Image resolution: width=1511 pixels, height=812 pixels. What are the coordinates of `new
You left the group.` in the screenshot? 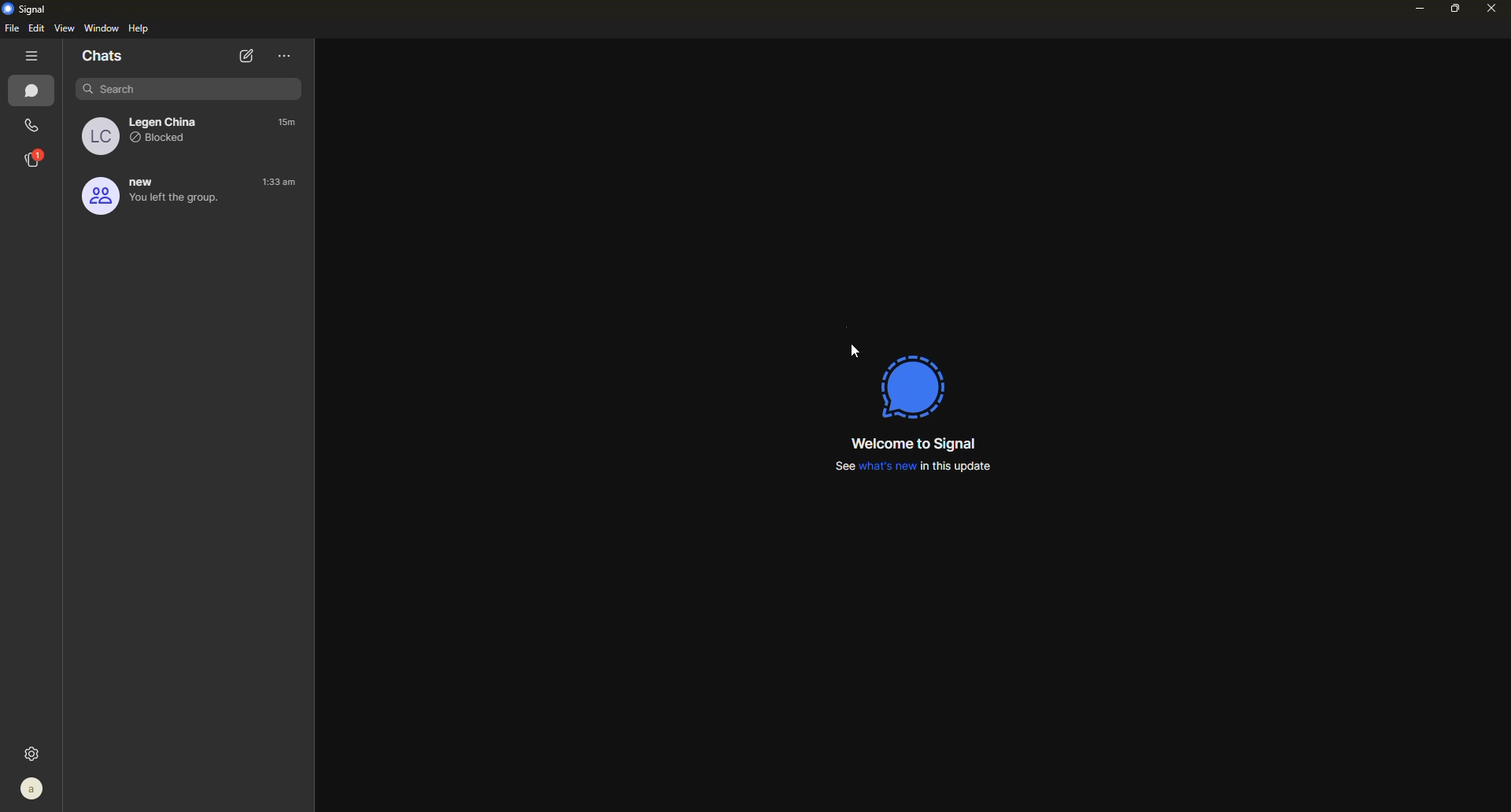 It's located at (144, 197).